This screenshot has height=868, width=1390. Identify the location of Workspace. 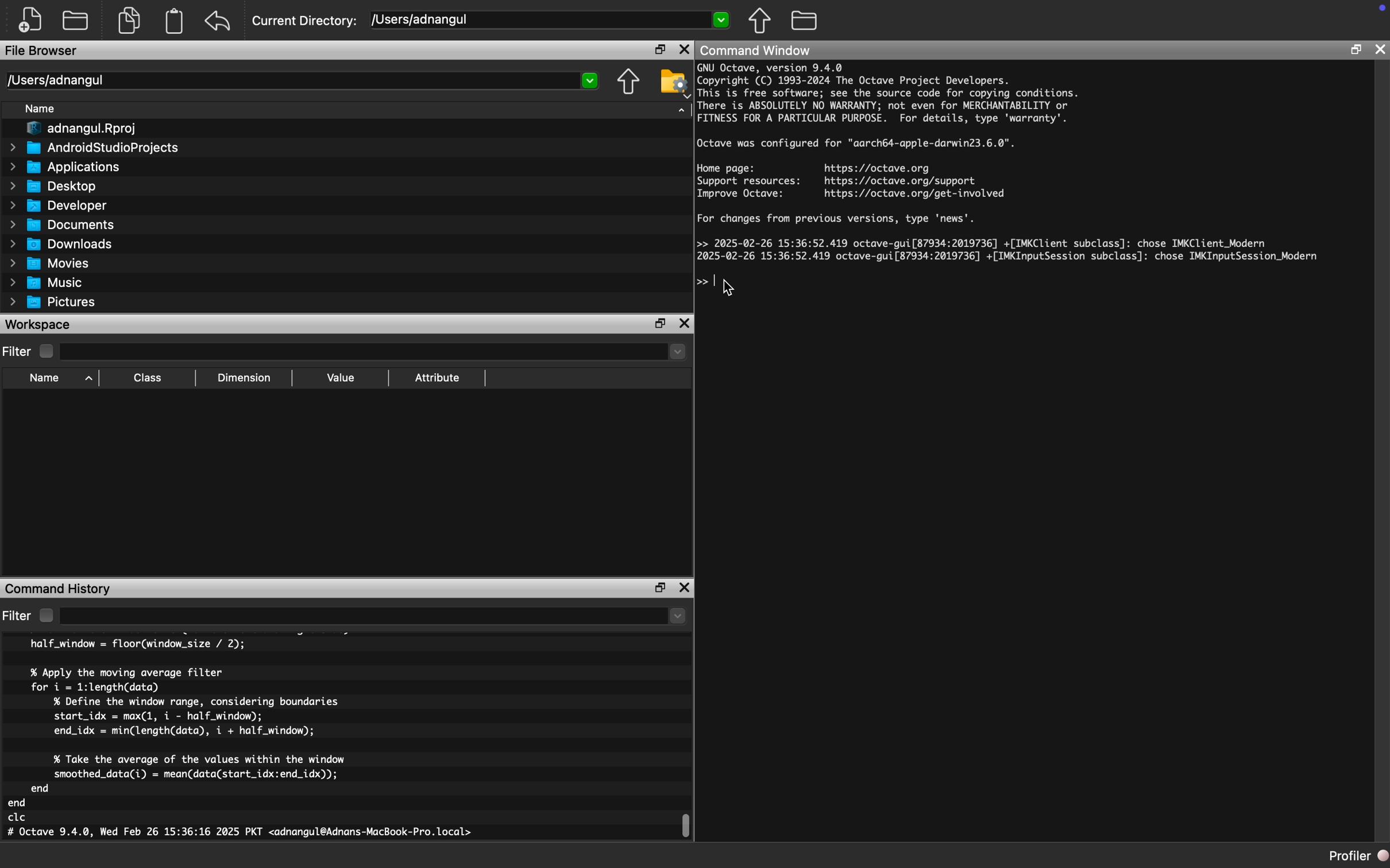
(38, 325).